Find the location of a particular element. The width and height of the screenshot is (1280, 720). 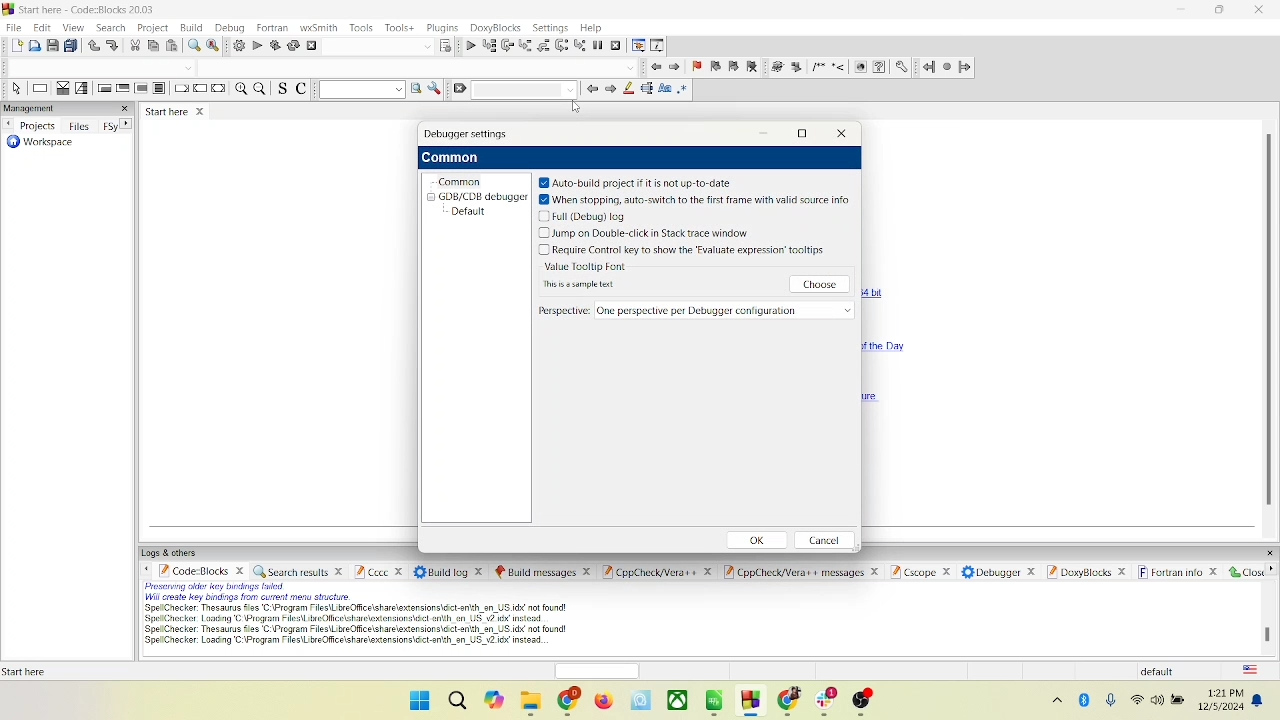

debugger is located at coordinates (1001, 572).